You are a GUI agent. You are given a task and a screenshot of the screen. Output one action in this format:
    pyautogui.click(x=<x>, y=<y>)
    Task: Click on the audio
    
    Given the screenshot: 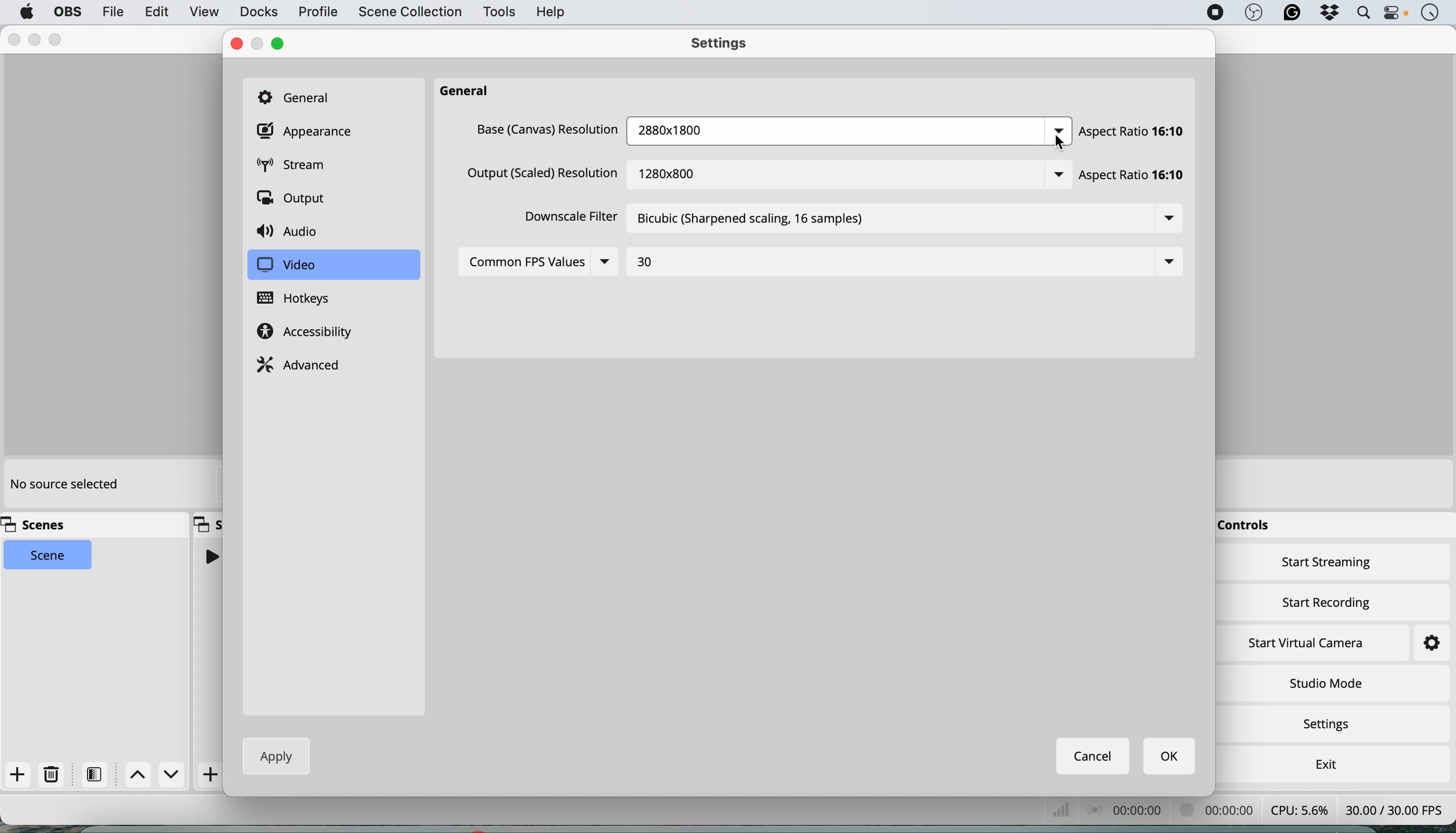 What is the action you would take?
    pyautogui.click(x=292, y=230)
    